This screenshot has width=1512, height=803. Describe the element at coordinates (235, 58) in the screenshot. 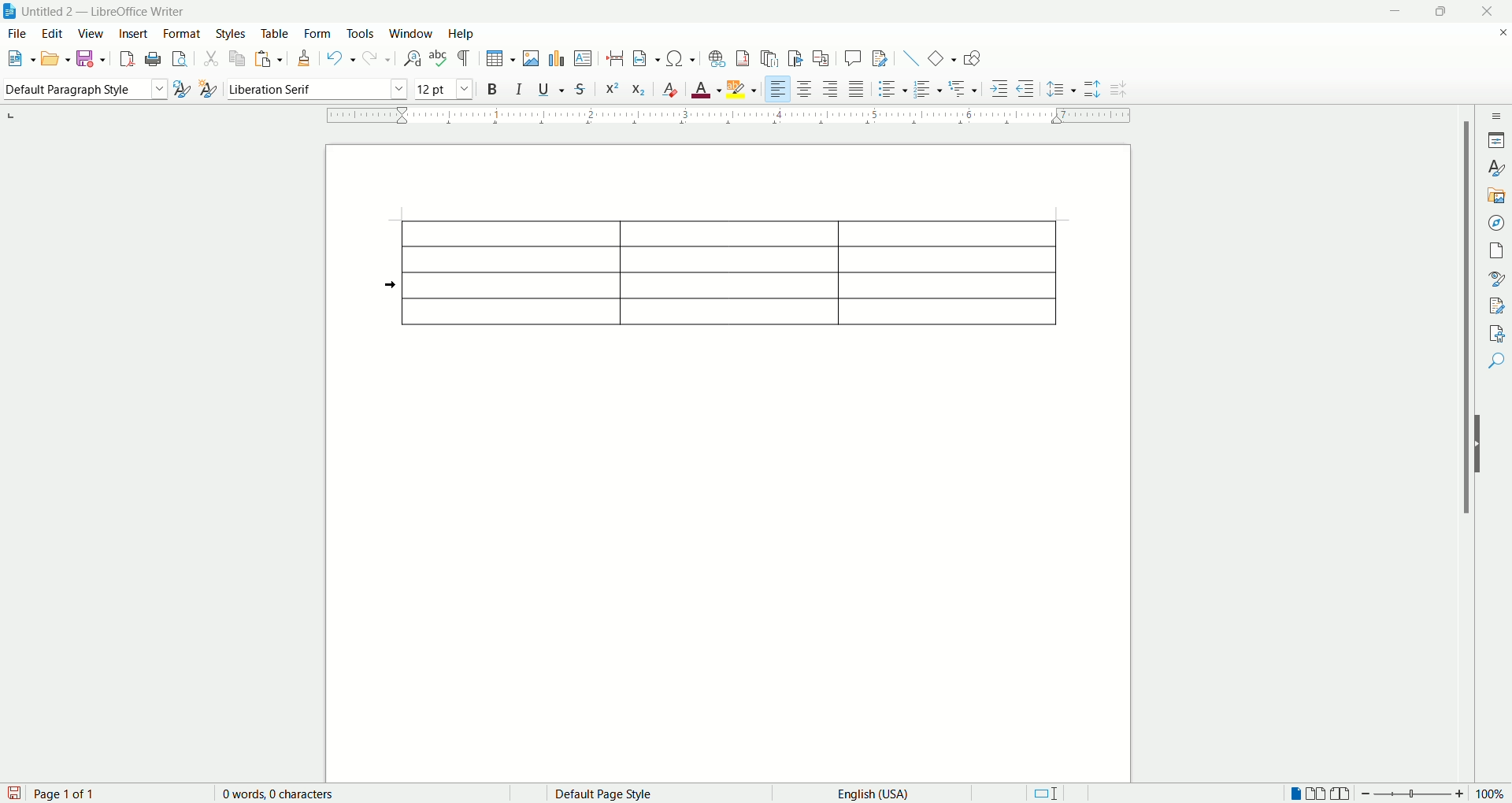

I see `copy` at that location.